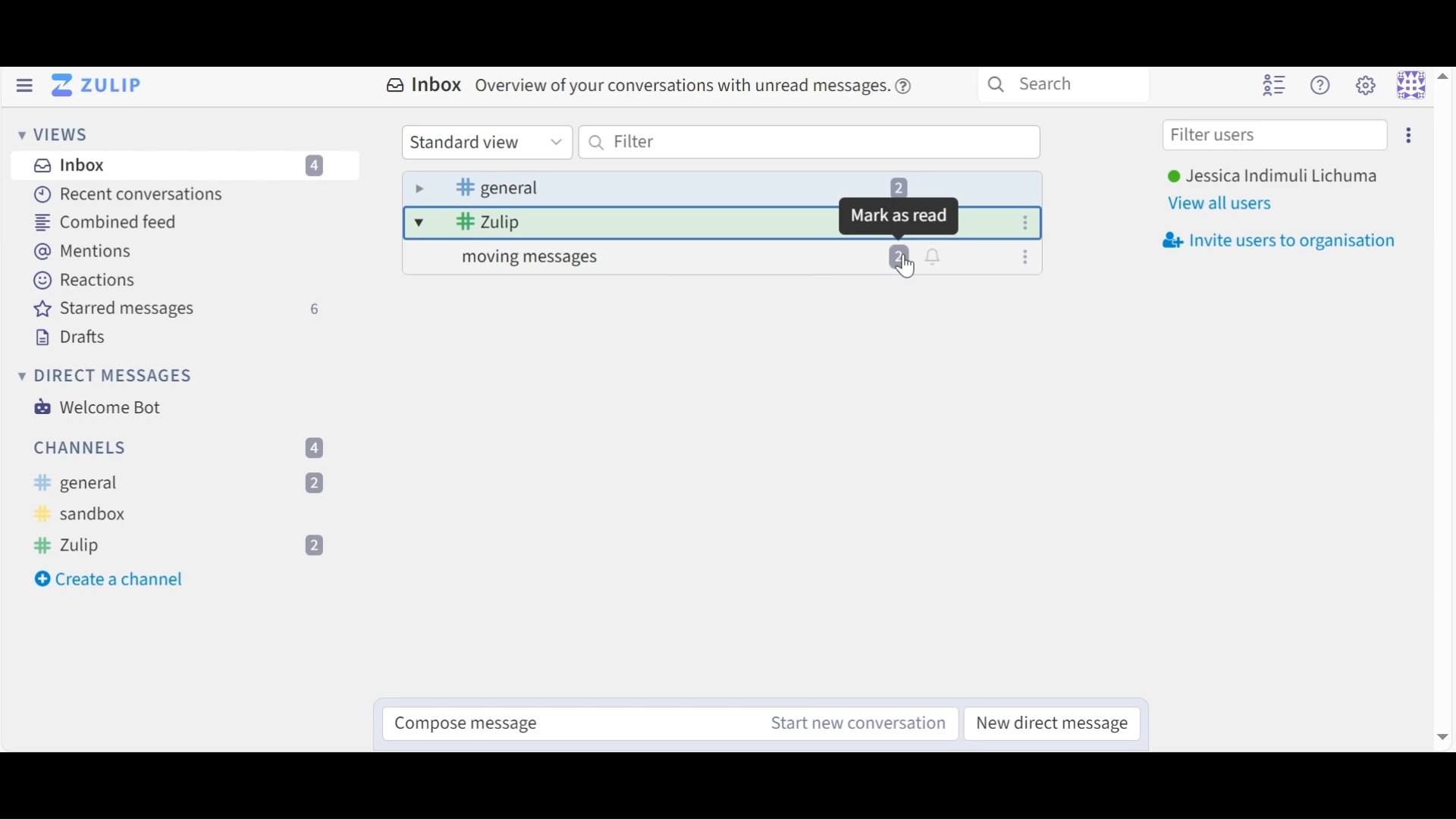 The width and height of the screenshot is (1456, 819). Describe the element at coordinates (101, 407) in the screenshot. I see `Welcome Bot` at that location.